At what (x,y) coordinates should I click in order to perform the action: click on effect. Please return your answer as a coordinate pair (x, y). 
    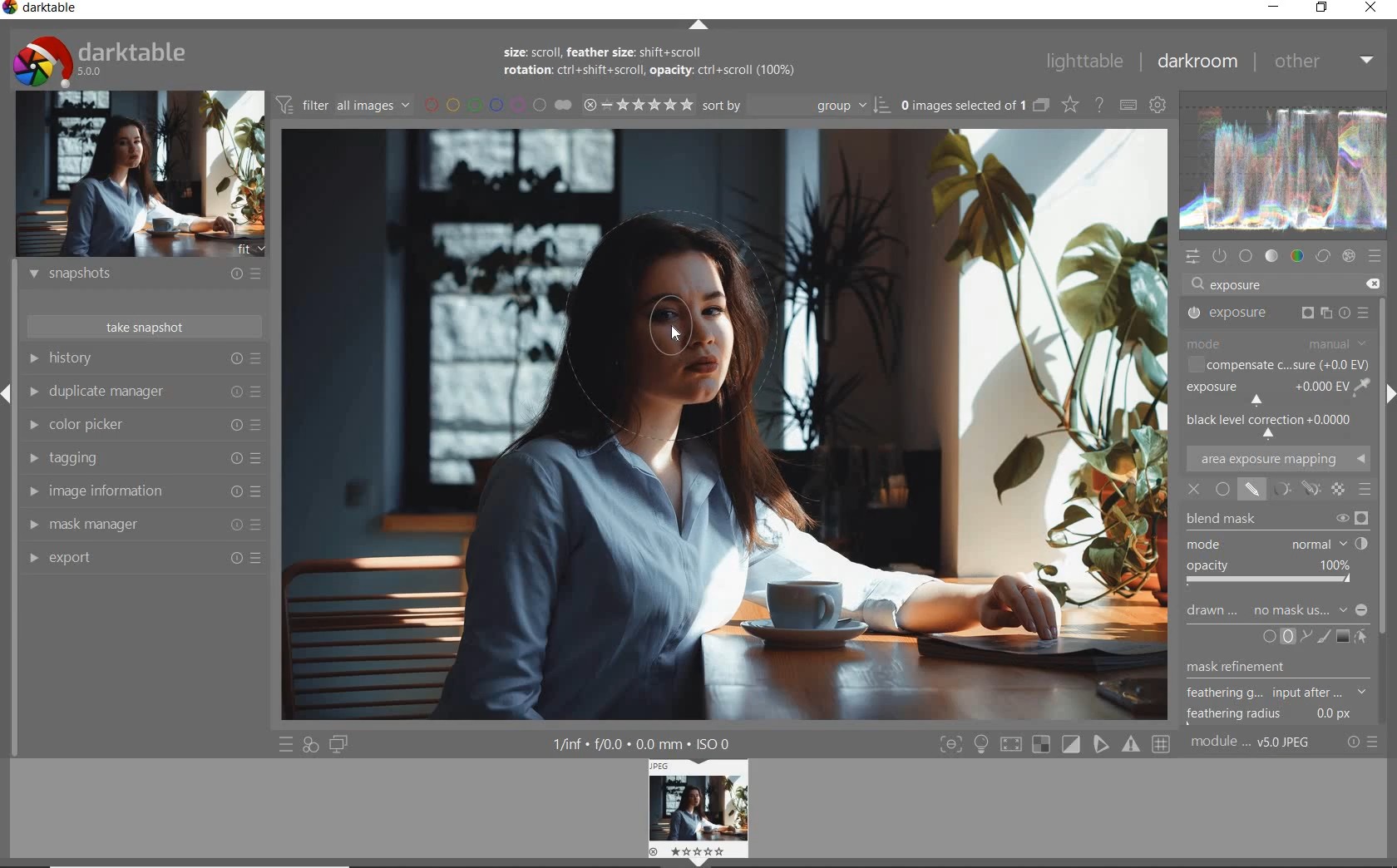
    Looking at the image, I should click on (1349, 256).